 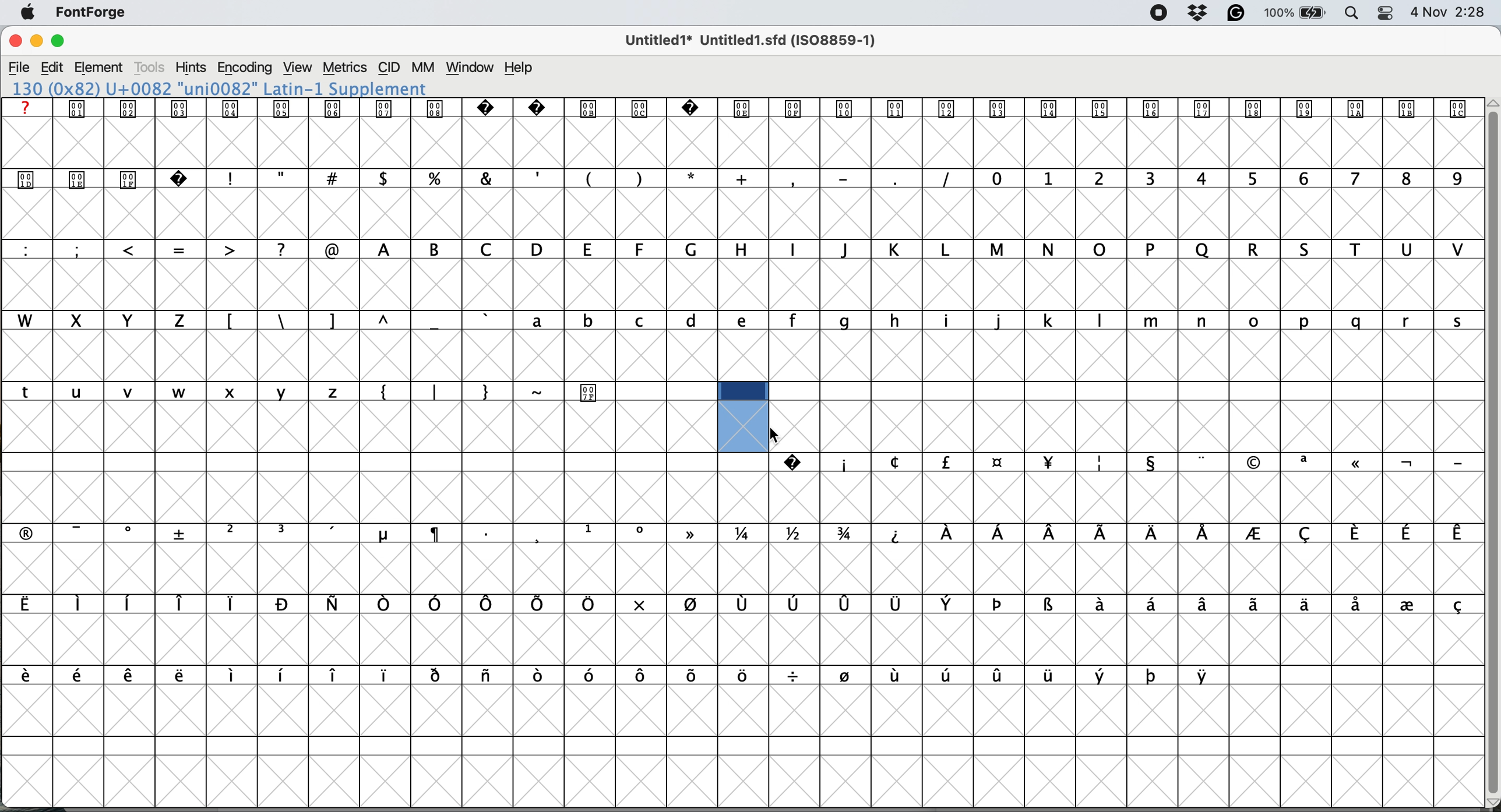 I want to click on symbol, so click(x=590, y=391).